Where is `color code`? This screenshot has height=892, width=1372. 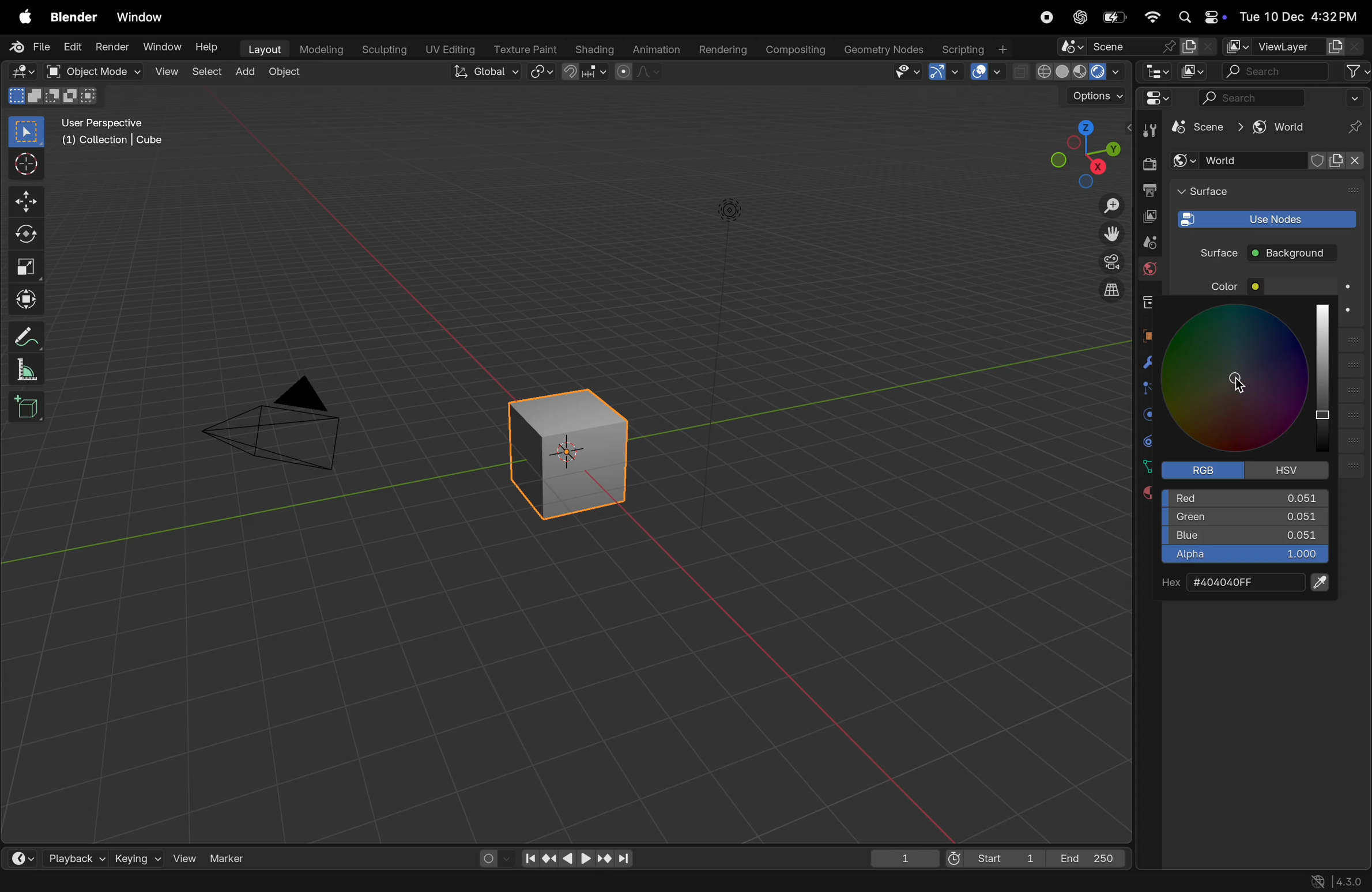 color code is located at coordinates (1243, 583).